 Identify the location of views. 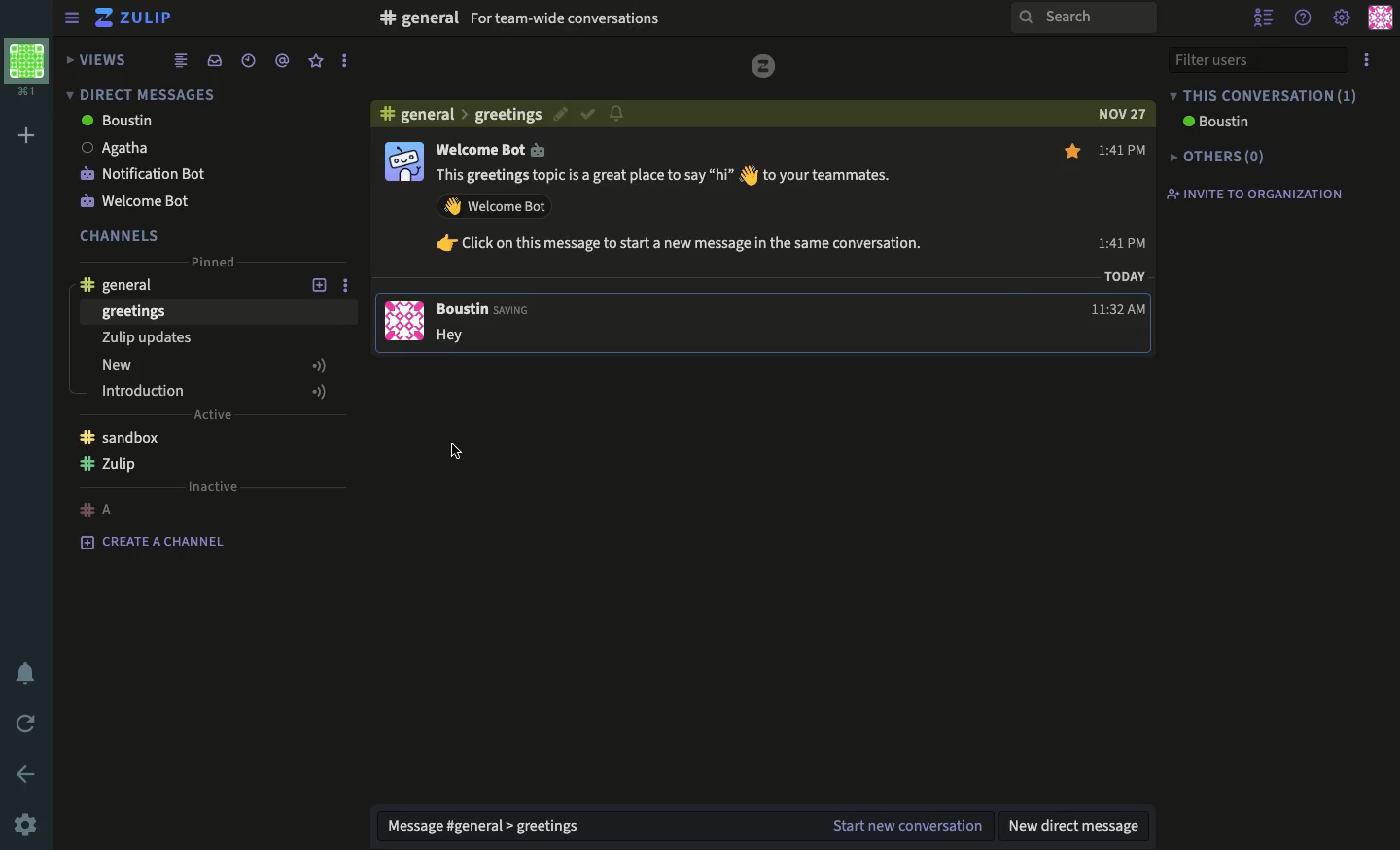
(98, 59).